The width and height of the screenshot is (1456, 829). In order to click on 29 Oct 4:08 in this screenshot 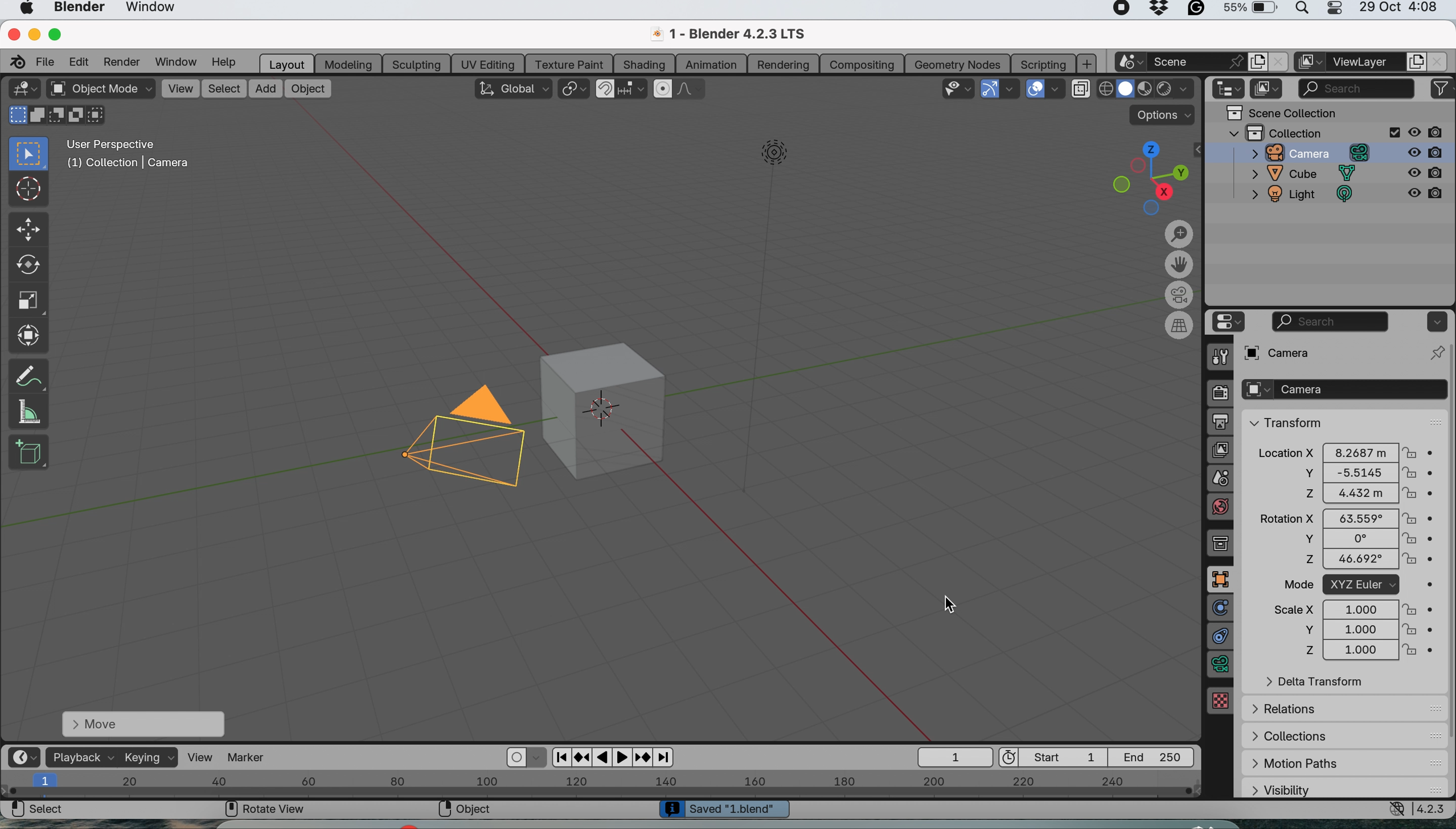, I will do `click(1399, 8)`.